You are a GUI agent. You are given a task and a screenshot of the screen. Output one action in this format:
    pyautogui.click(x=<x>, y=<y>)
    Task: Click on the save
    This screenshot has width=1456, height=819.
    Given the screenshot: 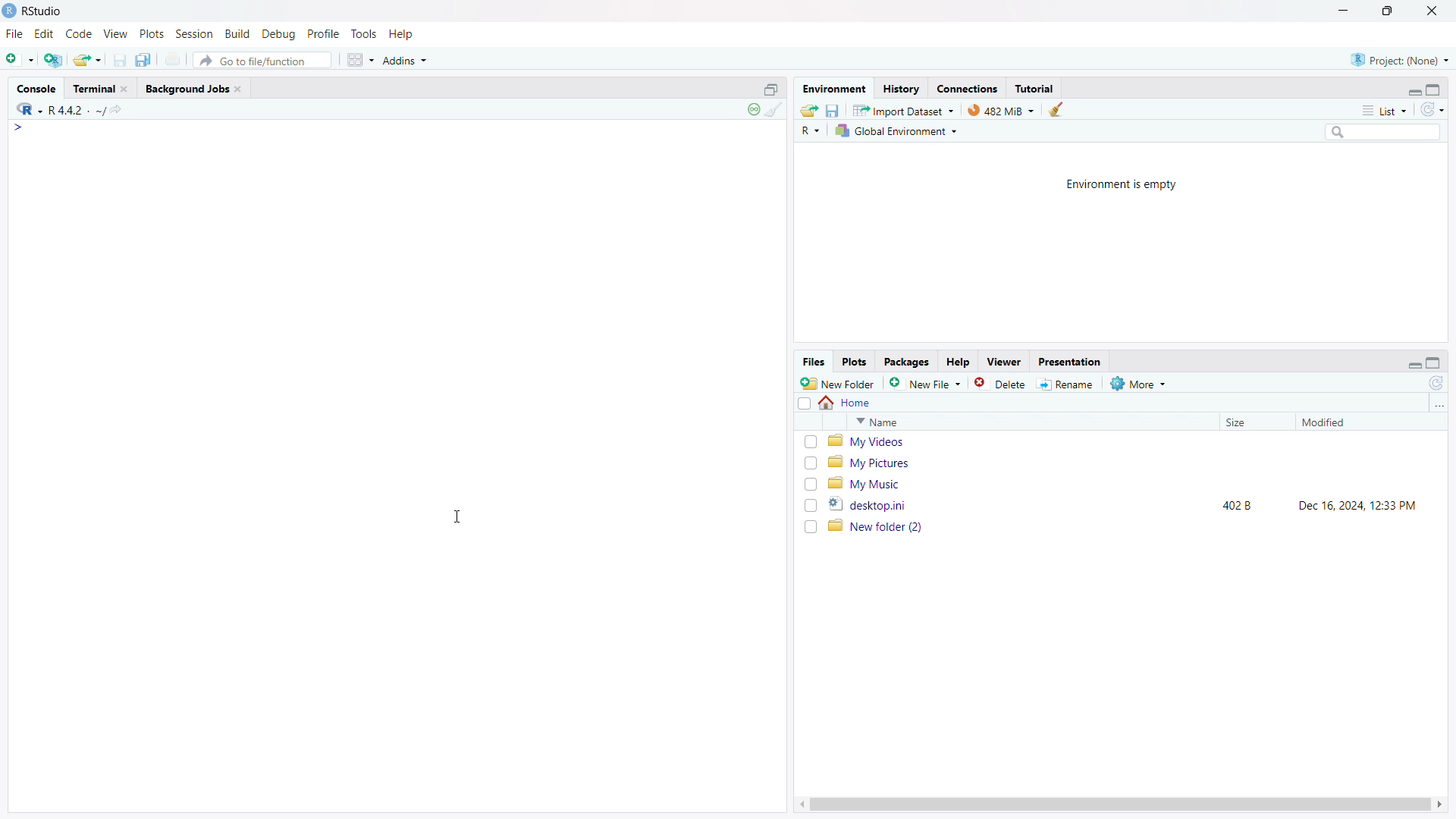 What is the action you would take?
    pyautogui.click(x=120, y=60)
    